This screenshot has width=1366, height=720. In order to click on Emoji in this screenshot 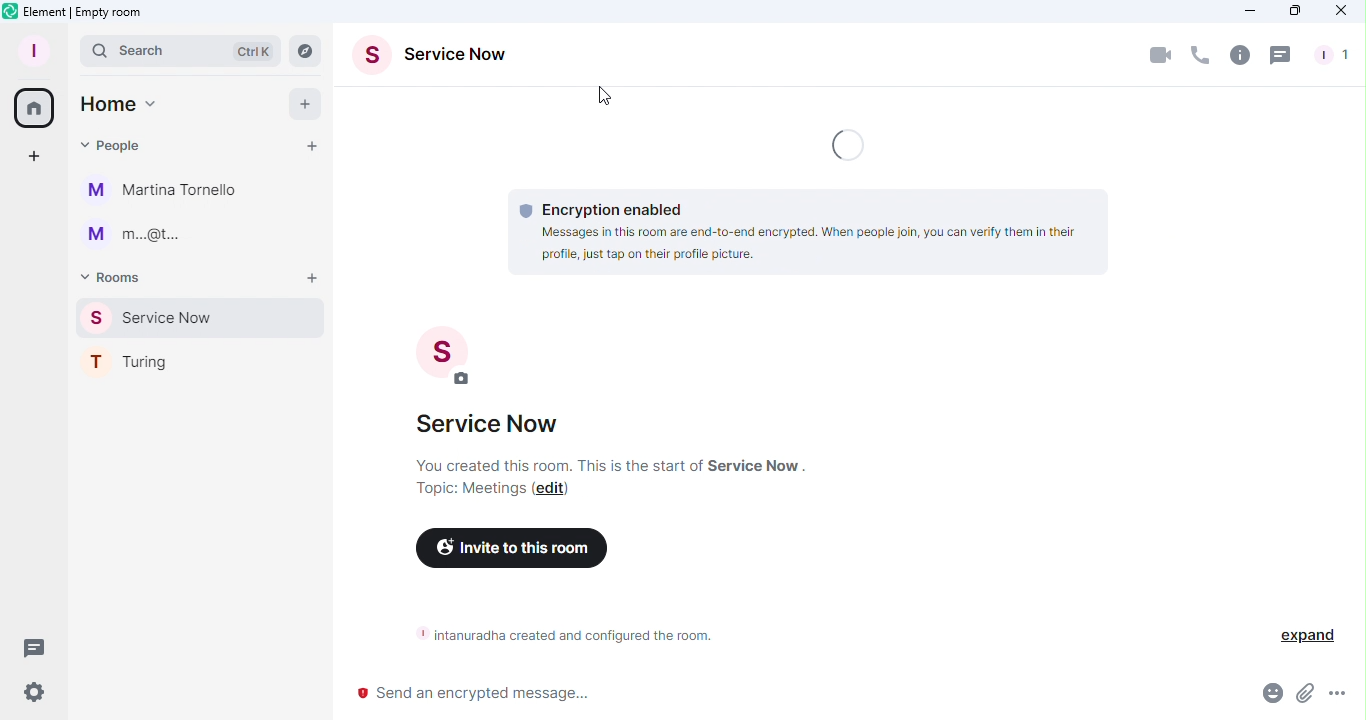, I will do `click(1271, 696)`.